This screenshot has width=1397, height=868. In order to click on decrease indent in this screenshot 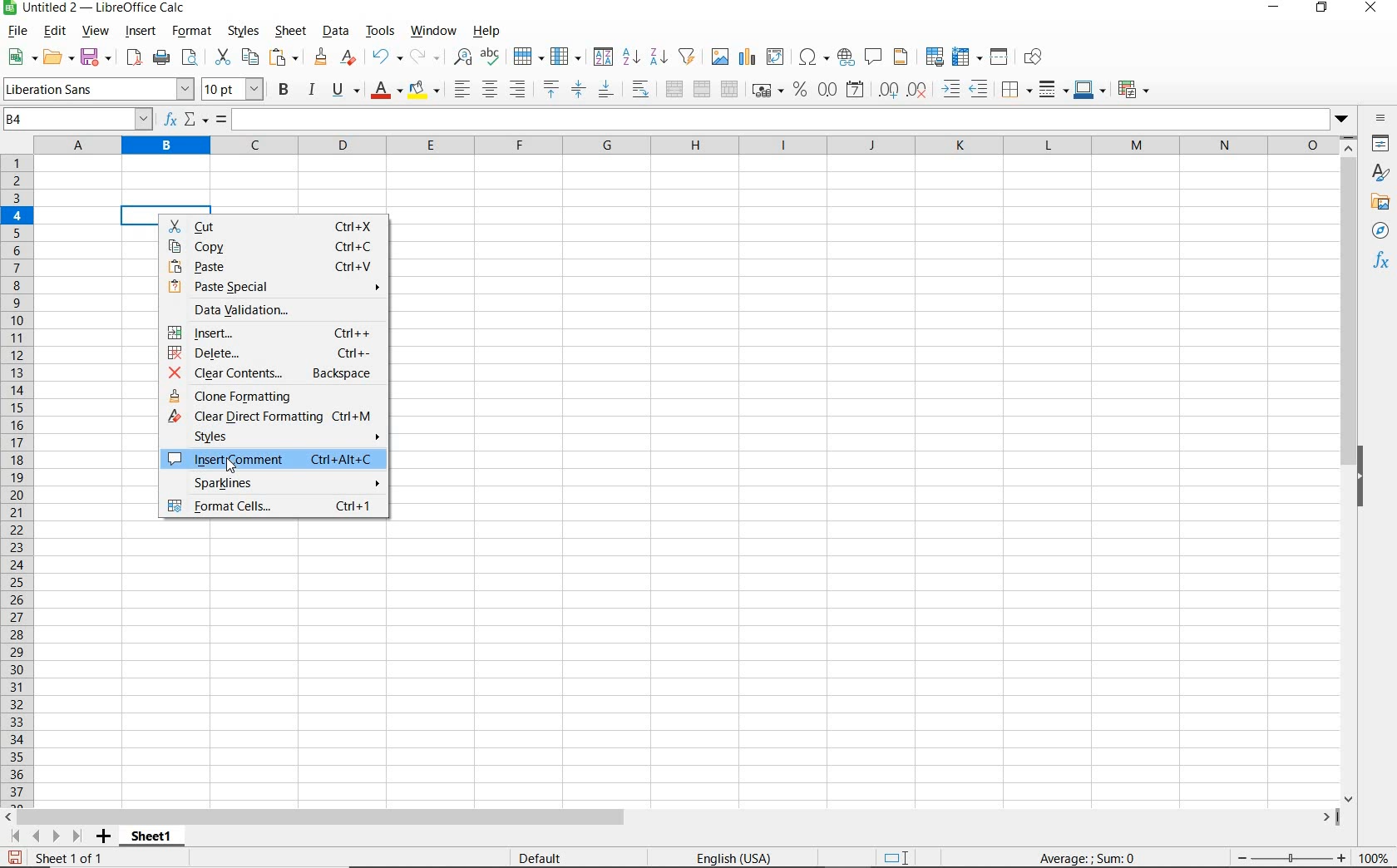, I will do `click(981, 88)`.